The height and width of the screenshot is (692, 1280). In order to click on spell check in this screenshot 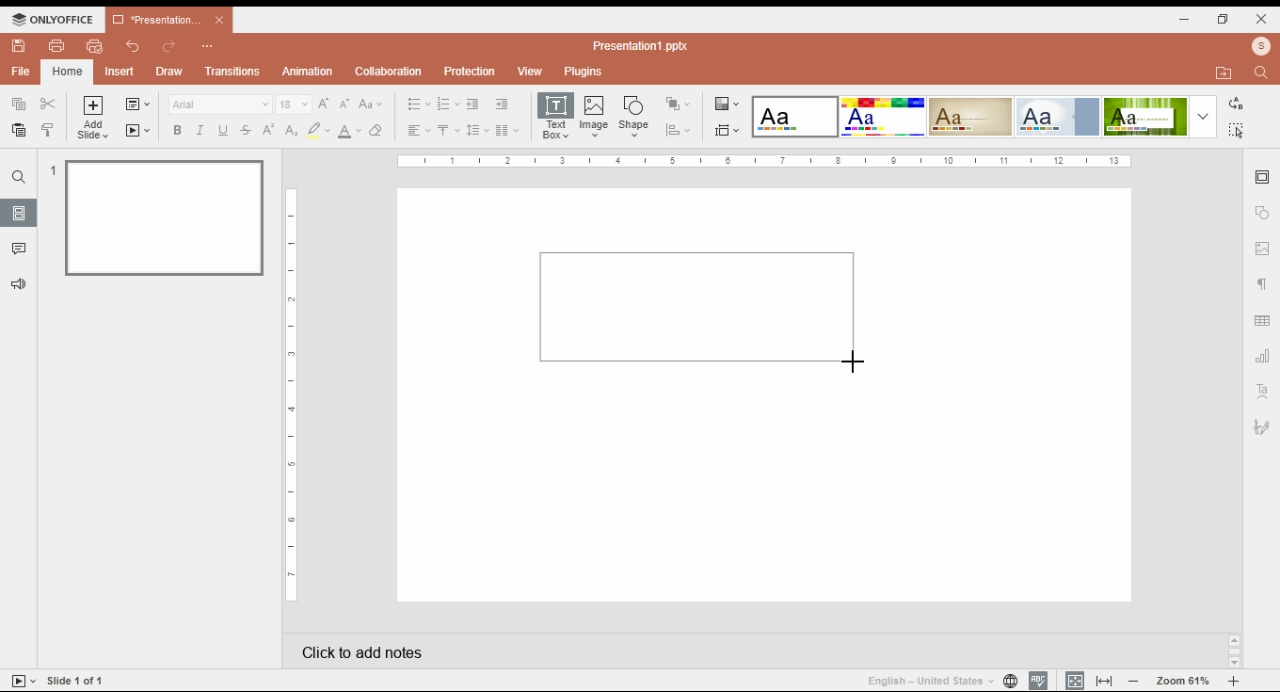, I will do `click(1039, 681)`.